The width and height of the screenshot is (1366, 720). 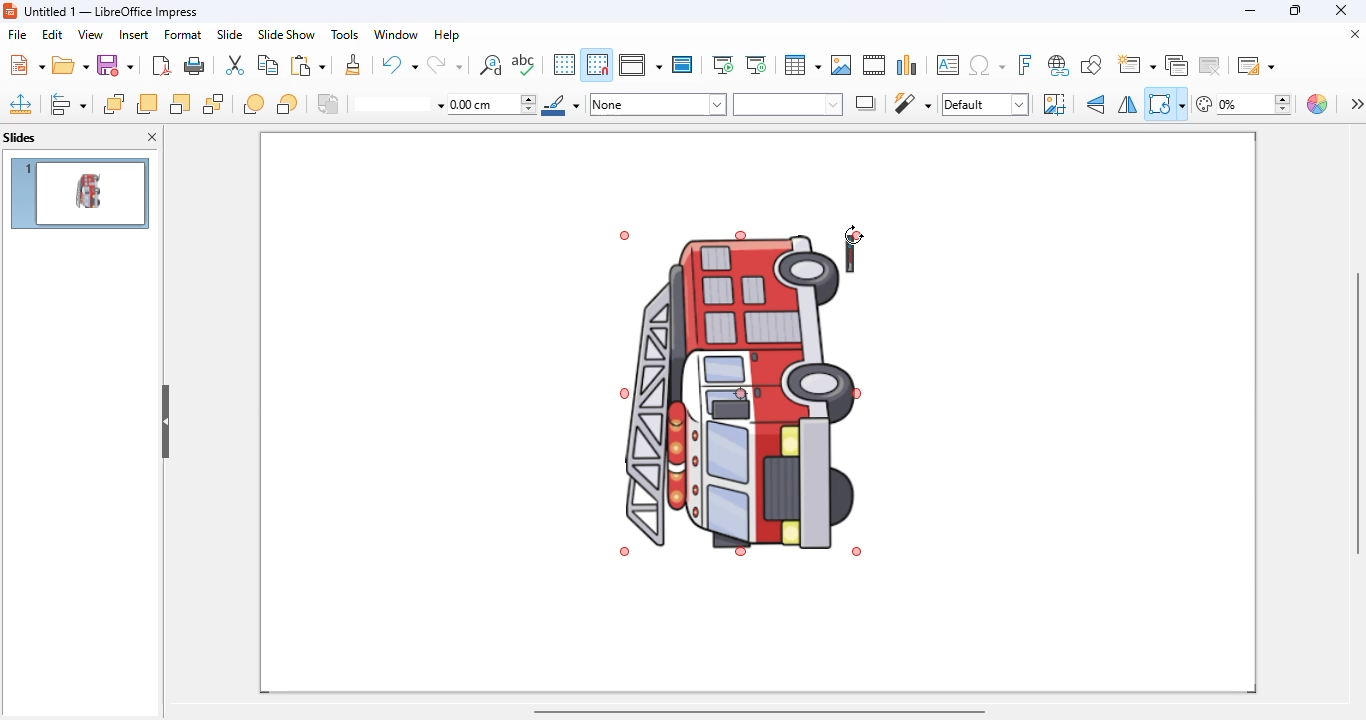 What do you see at coordinates (1294, 10) in the screenshot?
I see `maximize` at bounding box center [1294, 10].